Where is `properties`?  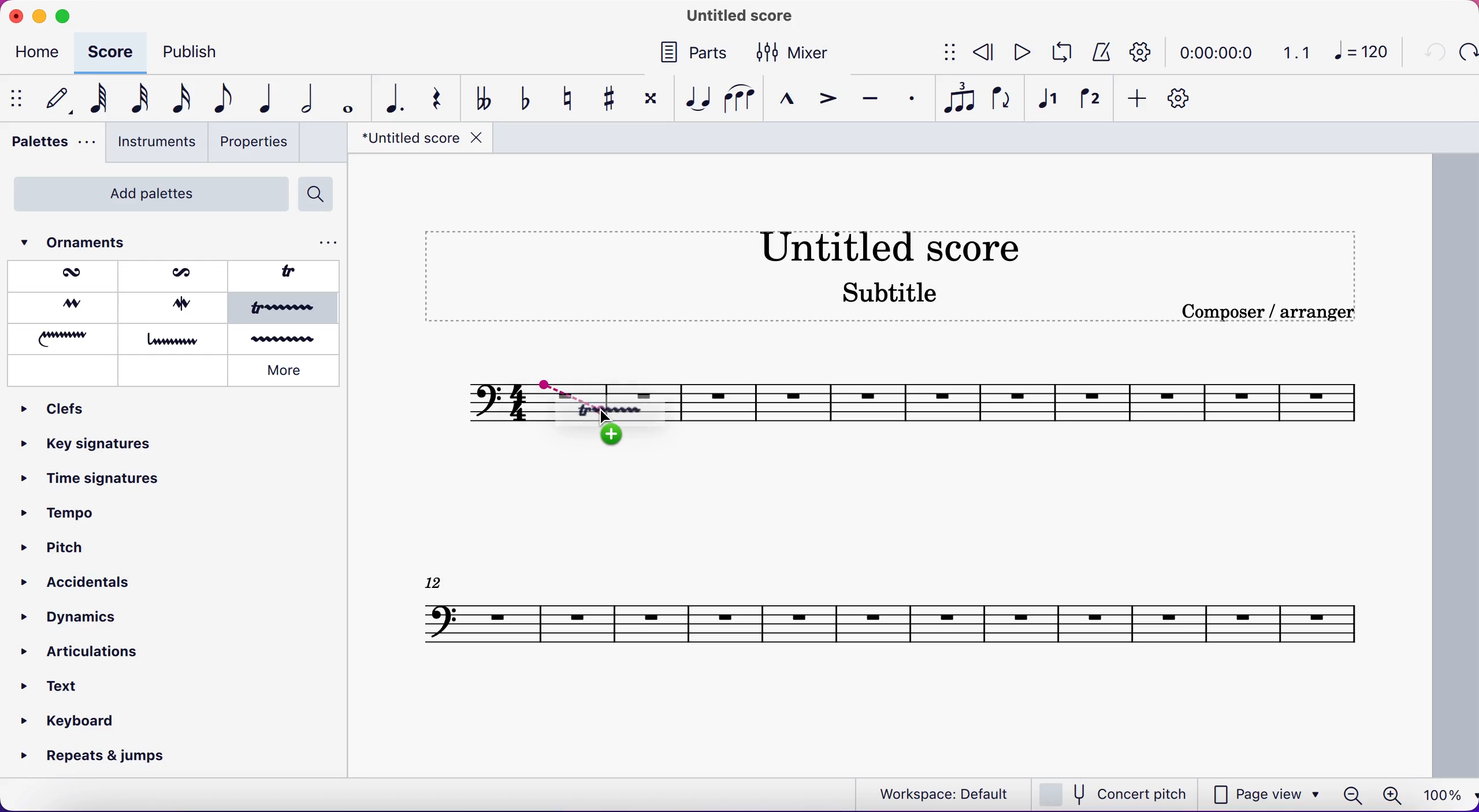 properties is located at coordinates (257, 144).